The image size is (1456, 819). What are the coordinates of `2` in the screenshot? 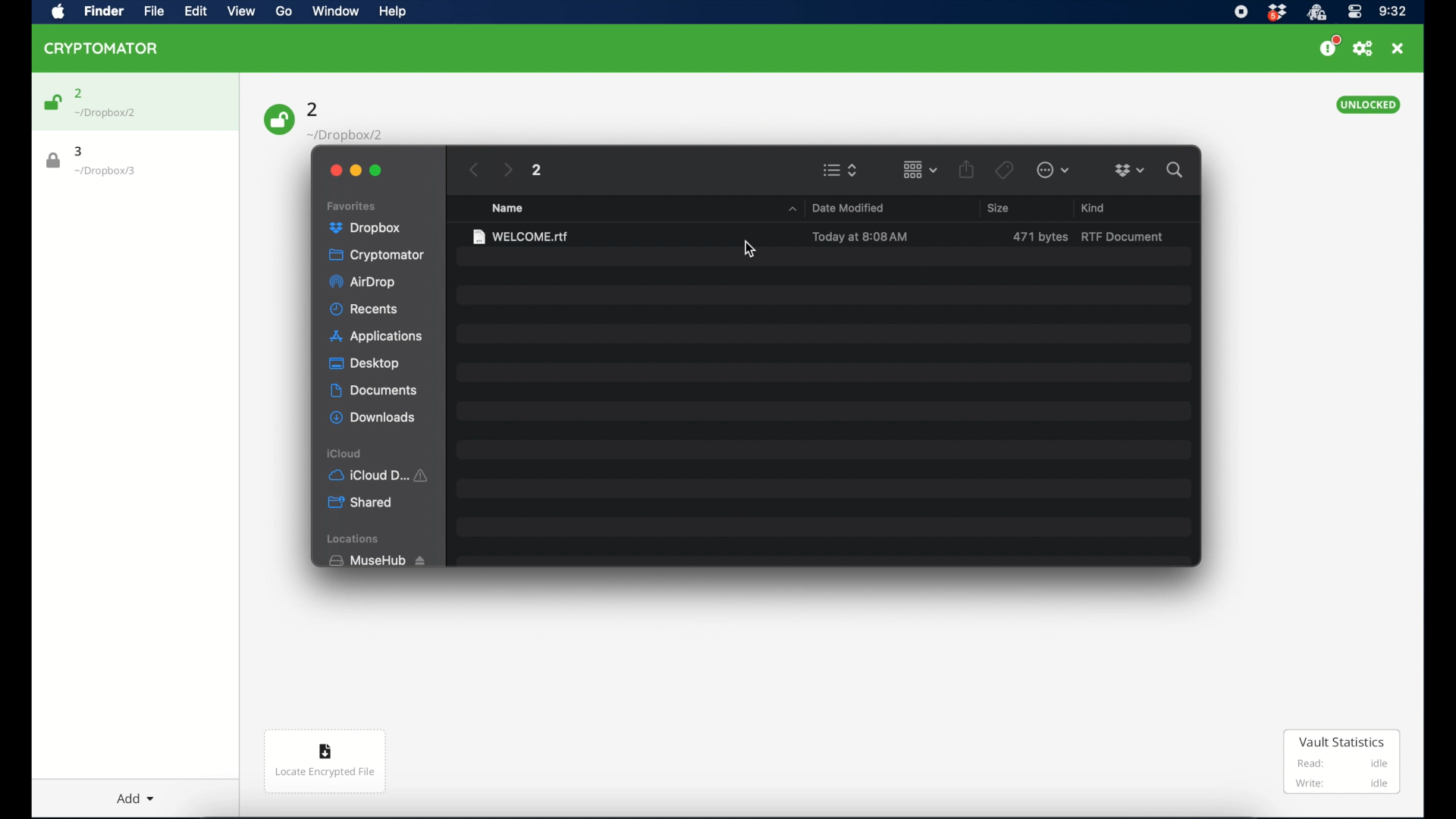 It's located at (538, 171).